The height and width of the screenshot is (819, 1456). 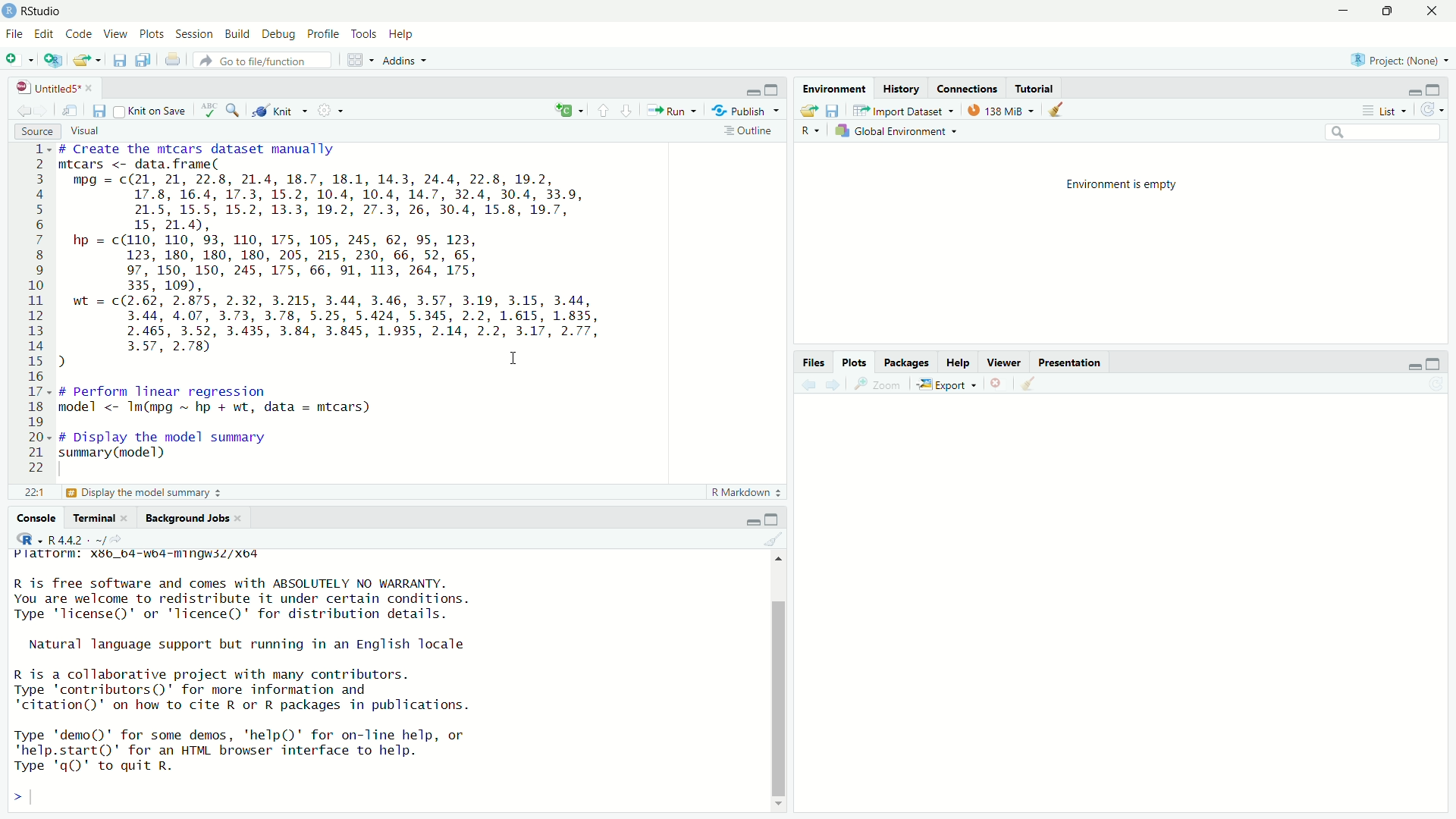 What do you see at coordinates (947, 385) in the screenshot?
I see `export` at bounding box center [947, 385].